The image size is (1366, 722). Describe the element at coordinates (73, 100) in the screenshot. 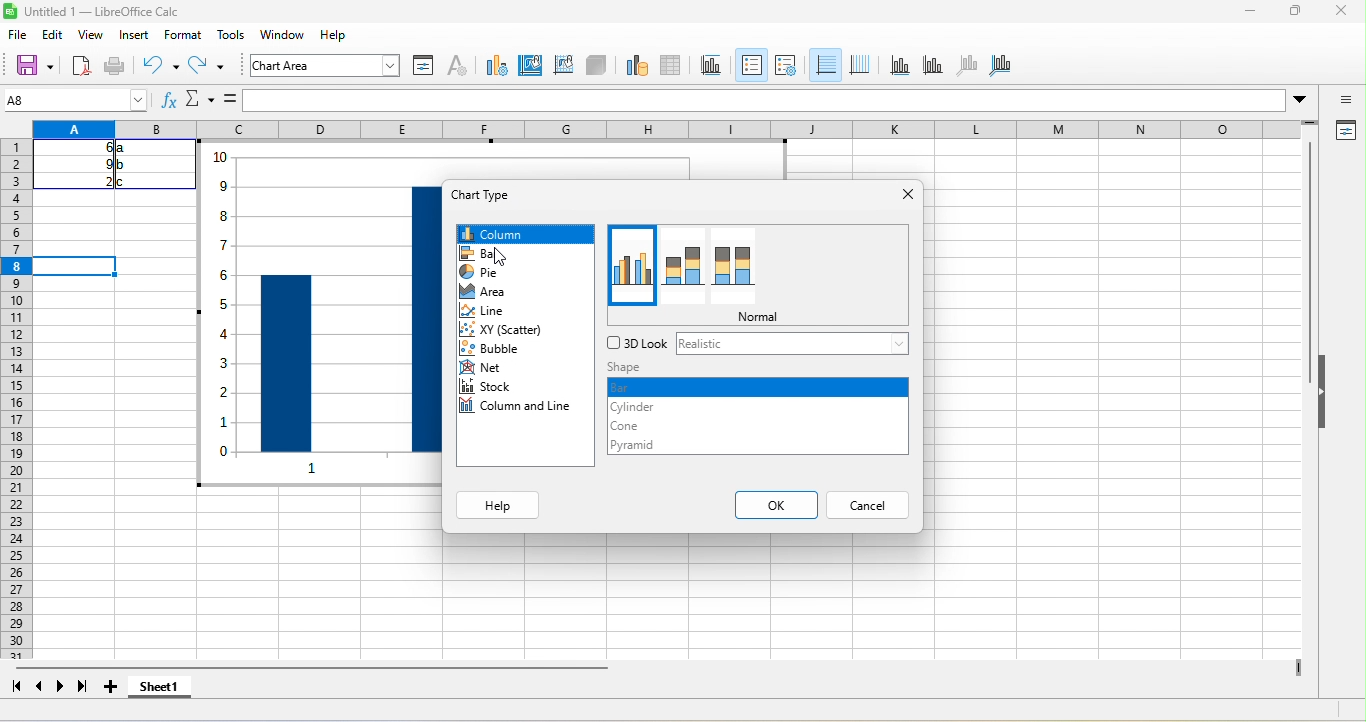

I see `A8` at that location.